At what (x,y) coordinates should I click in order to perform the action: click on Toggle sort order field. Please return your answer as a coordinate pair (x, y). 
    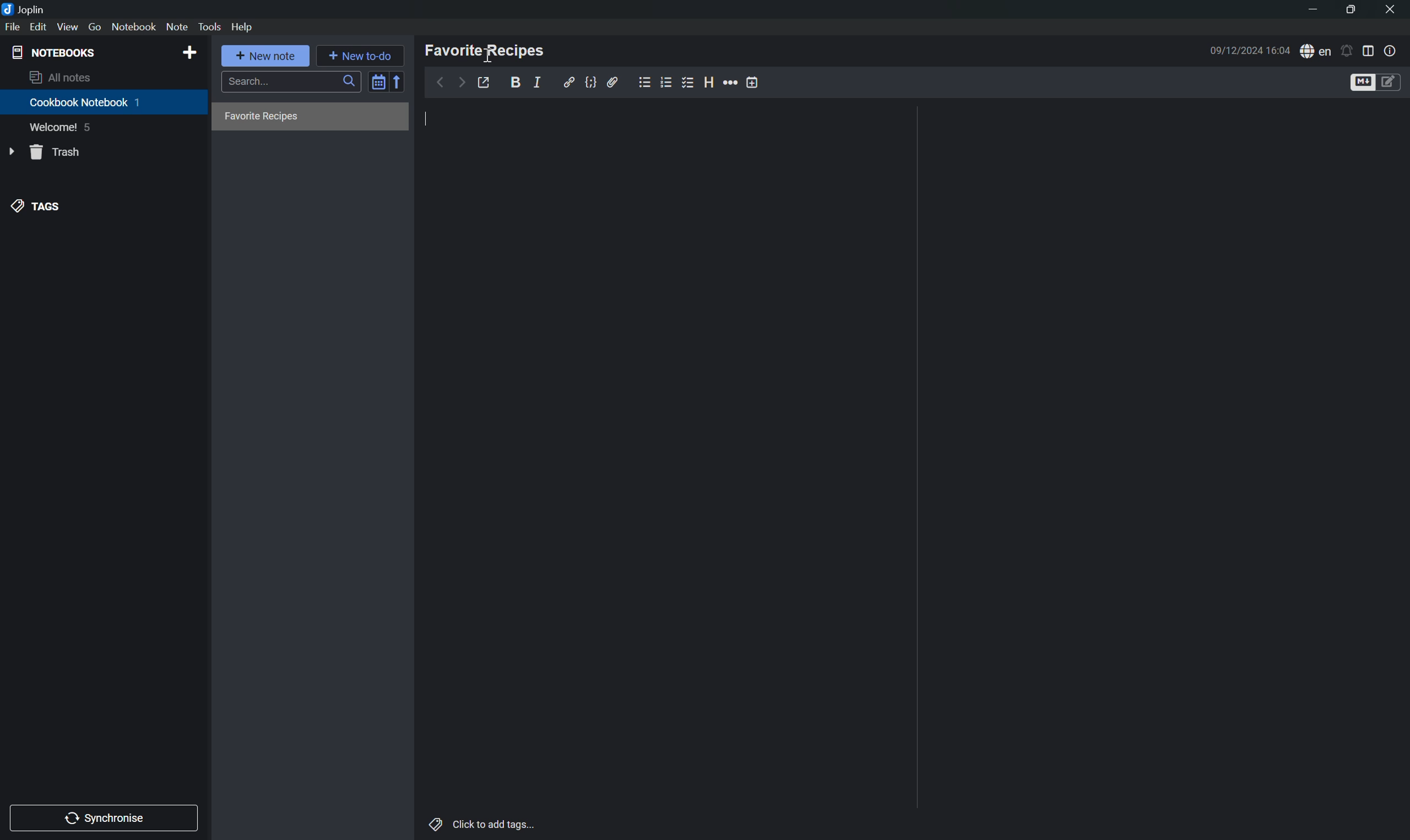
    Looking at the image, I should click on (377, 84).